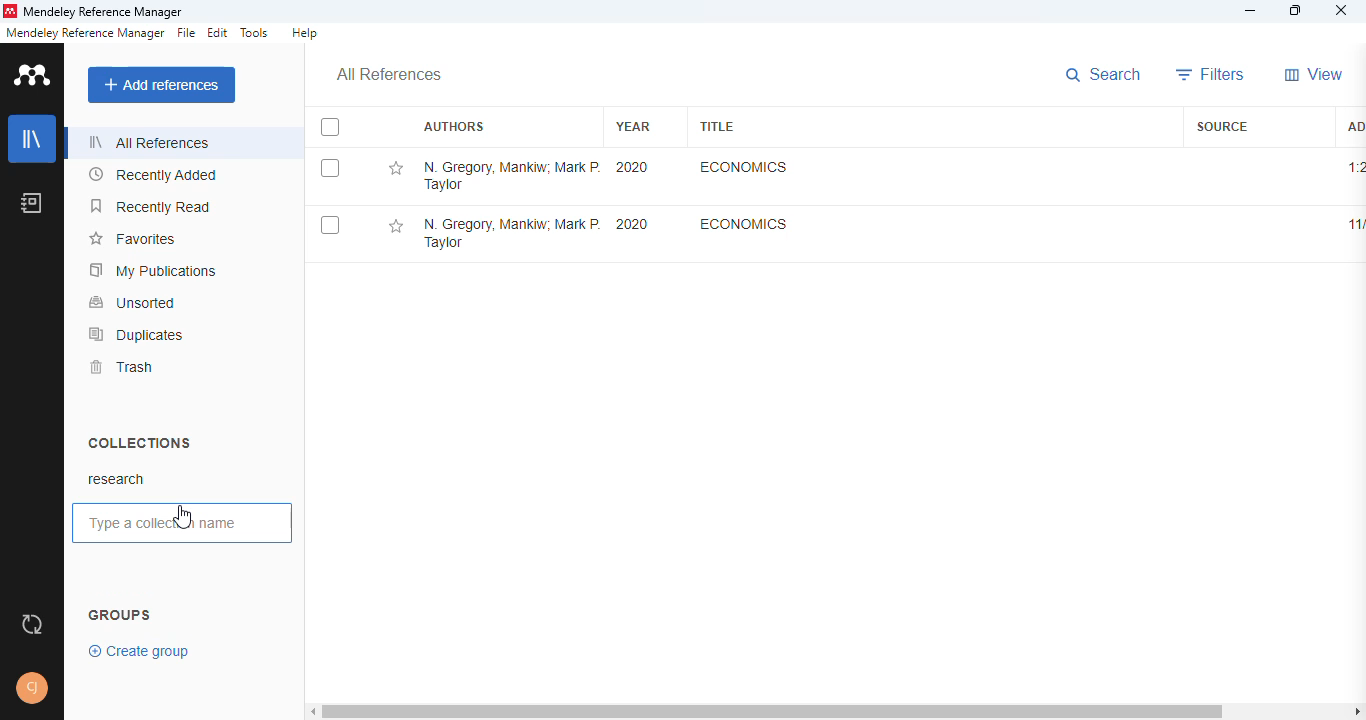 The width and height of the screenshot is (1366, 720). Describe the element at coordinates (1314, 74) in the screenshot. I see `view` at that location.